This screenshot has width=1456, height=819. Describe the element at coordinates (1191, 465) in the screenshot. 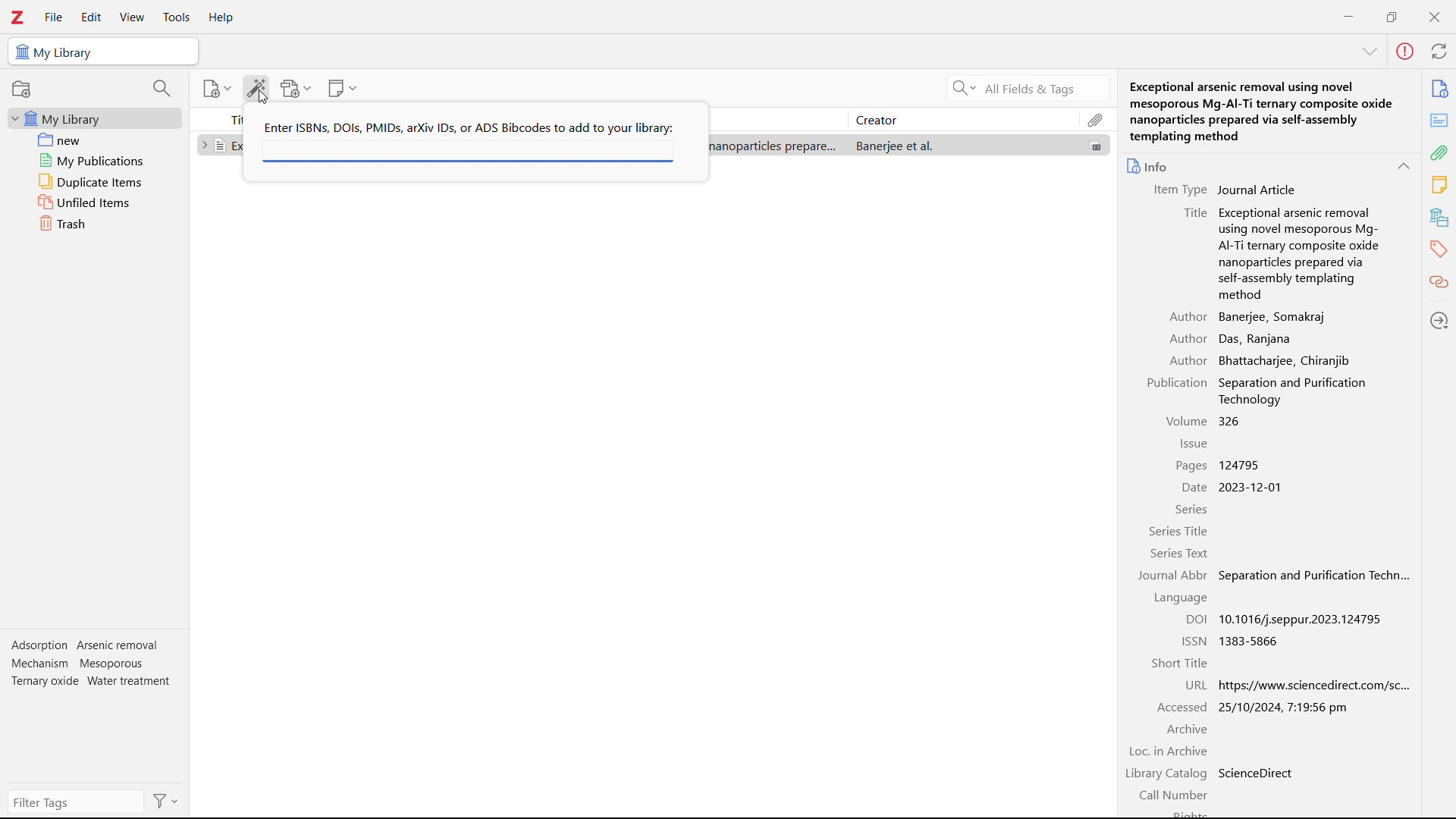

I see `pages` at that location.